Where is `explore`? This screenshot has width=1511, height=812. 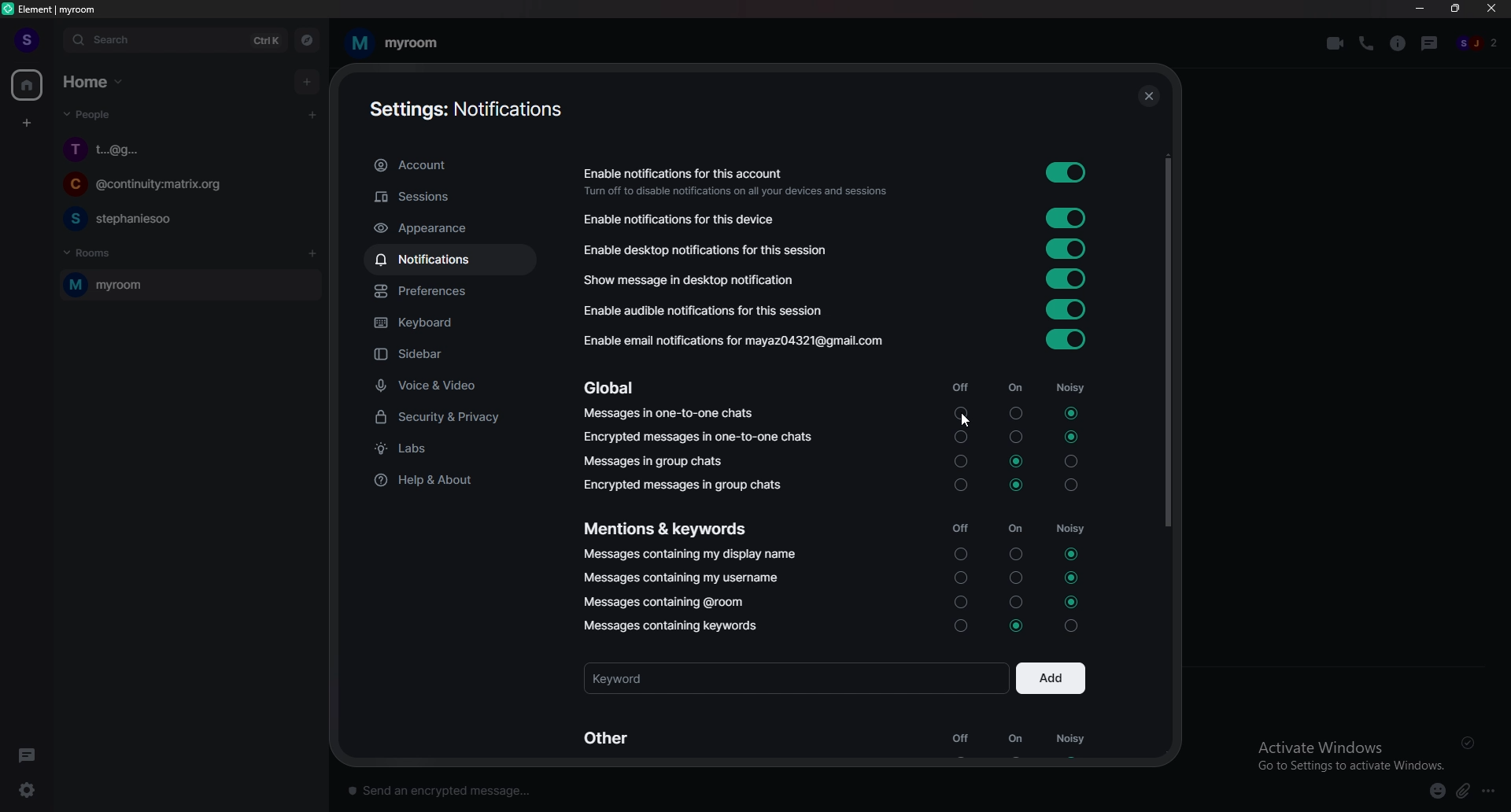 explore is located at coordinates (307, 39).